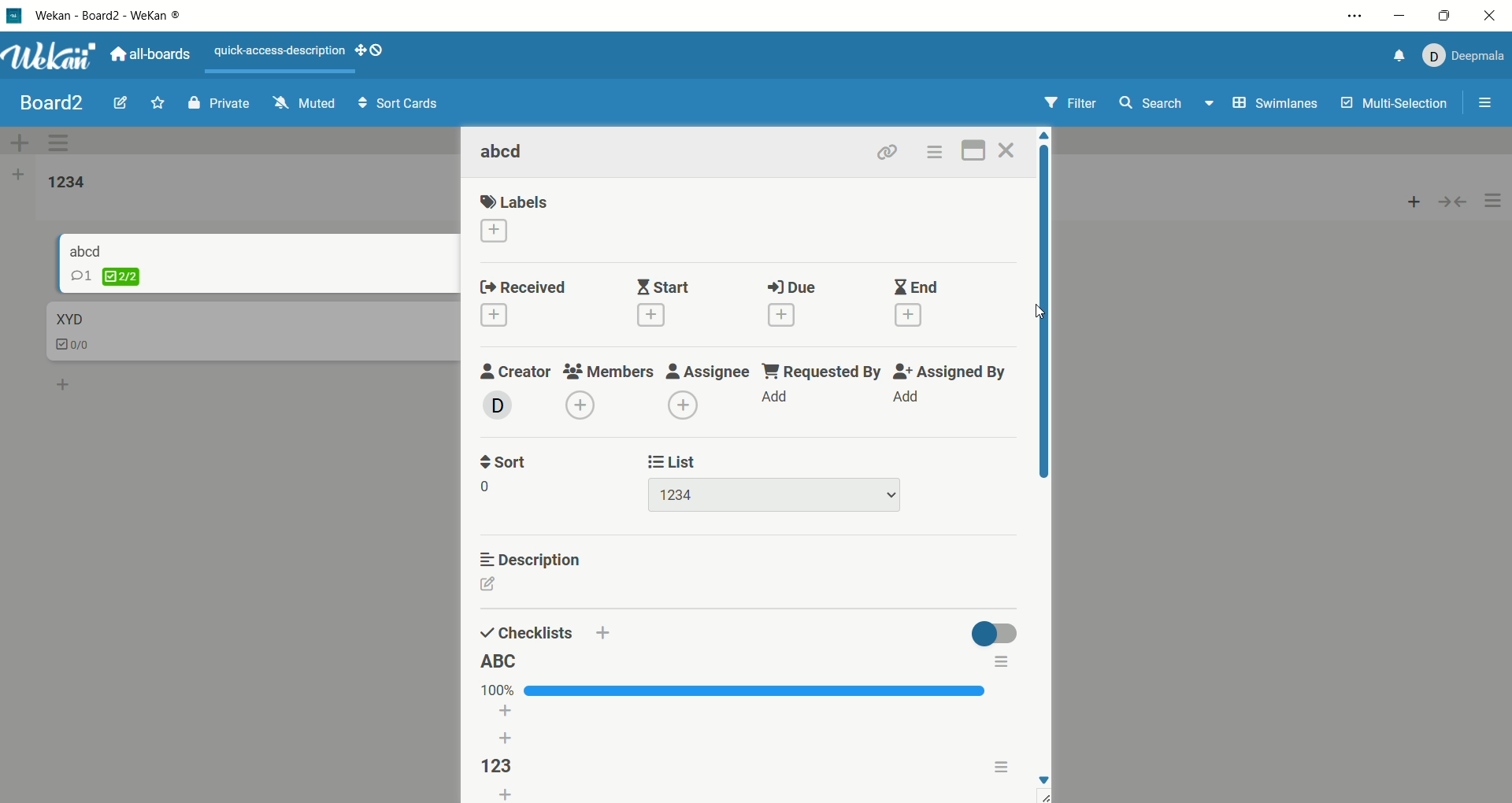 The width and height of the screenshot is (1512, 803). What do you see at coordinates (602, 634) in the screenshot?
I see `` at bounding box center [602, 634].